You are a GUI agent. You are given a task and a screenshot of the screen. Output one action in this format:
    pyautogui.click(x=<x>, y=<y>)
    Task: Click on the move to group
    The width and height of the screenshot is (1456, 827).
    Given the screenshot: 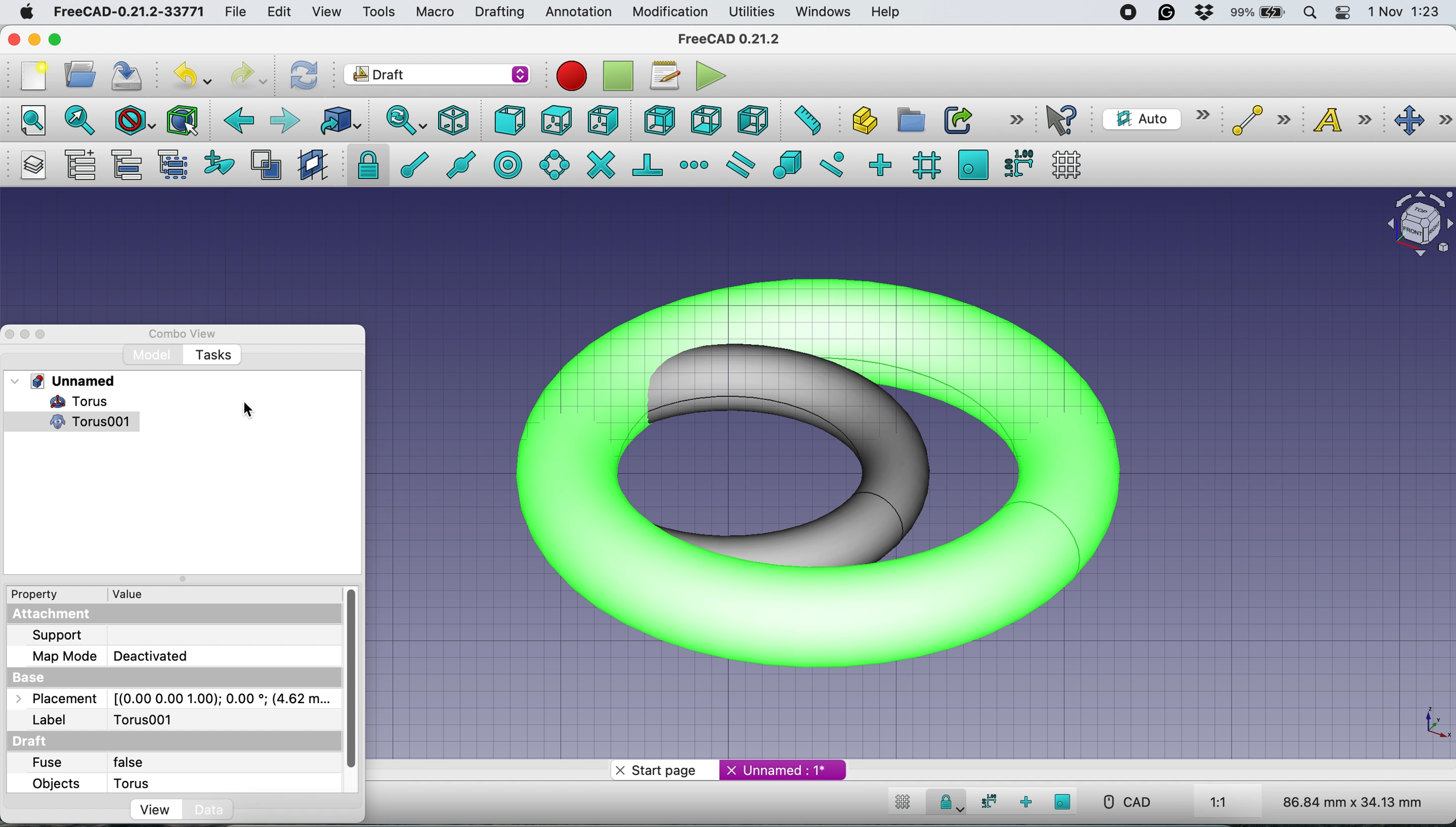 What is the action you would take?
    pyautogui.click(x=131, y=165)
    